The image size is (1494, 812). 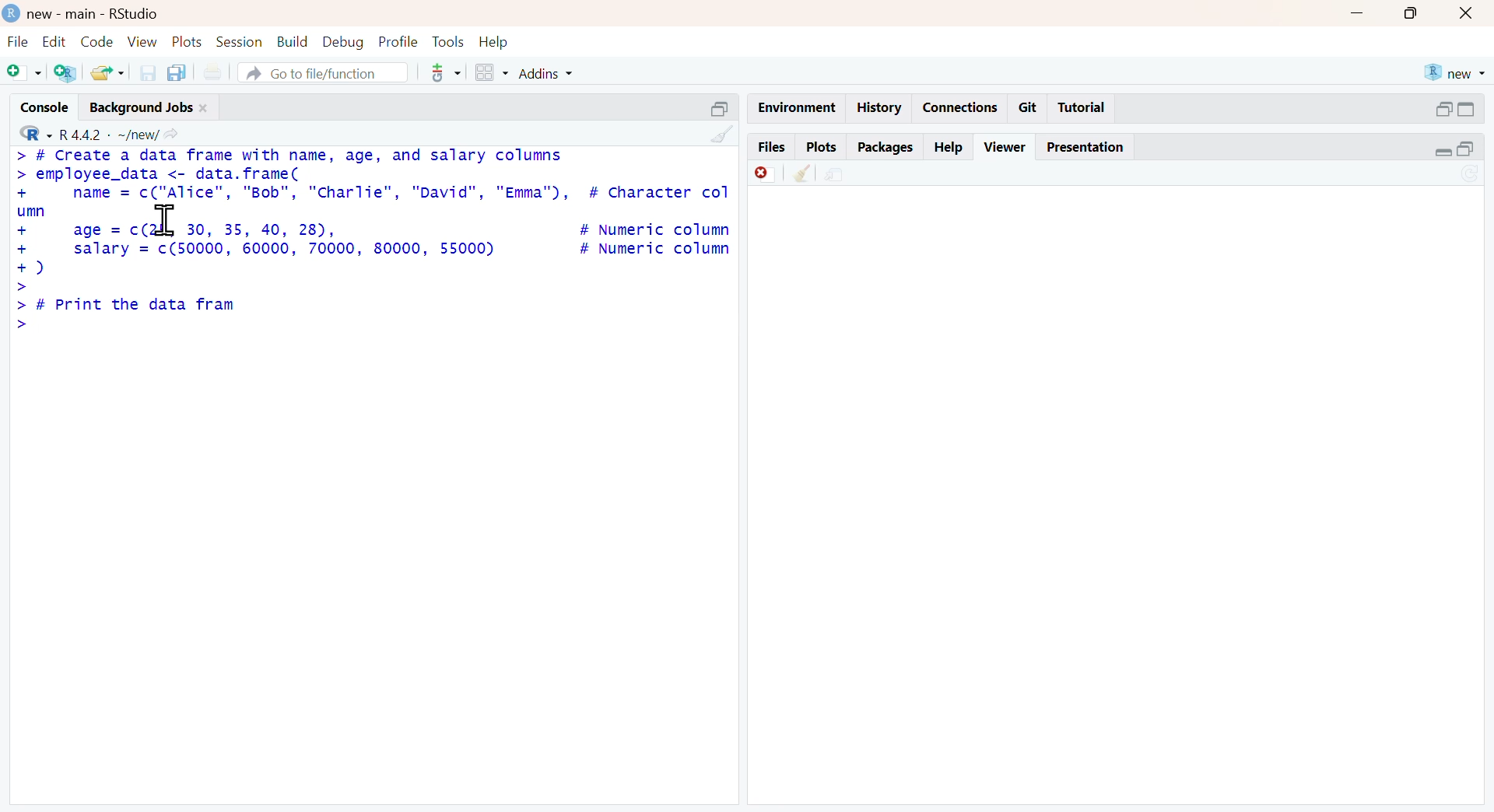 I want to click on Profile, so click(x=398, y=42).